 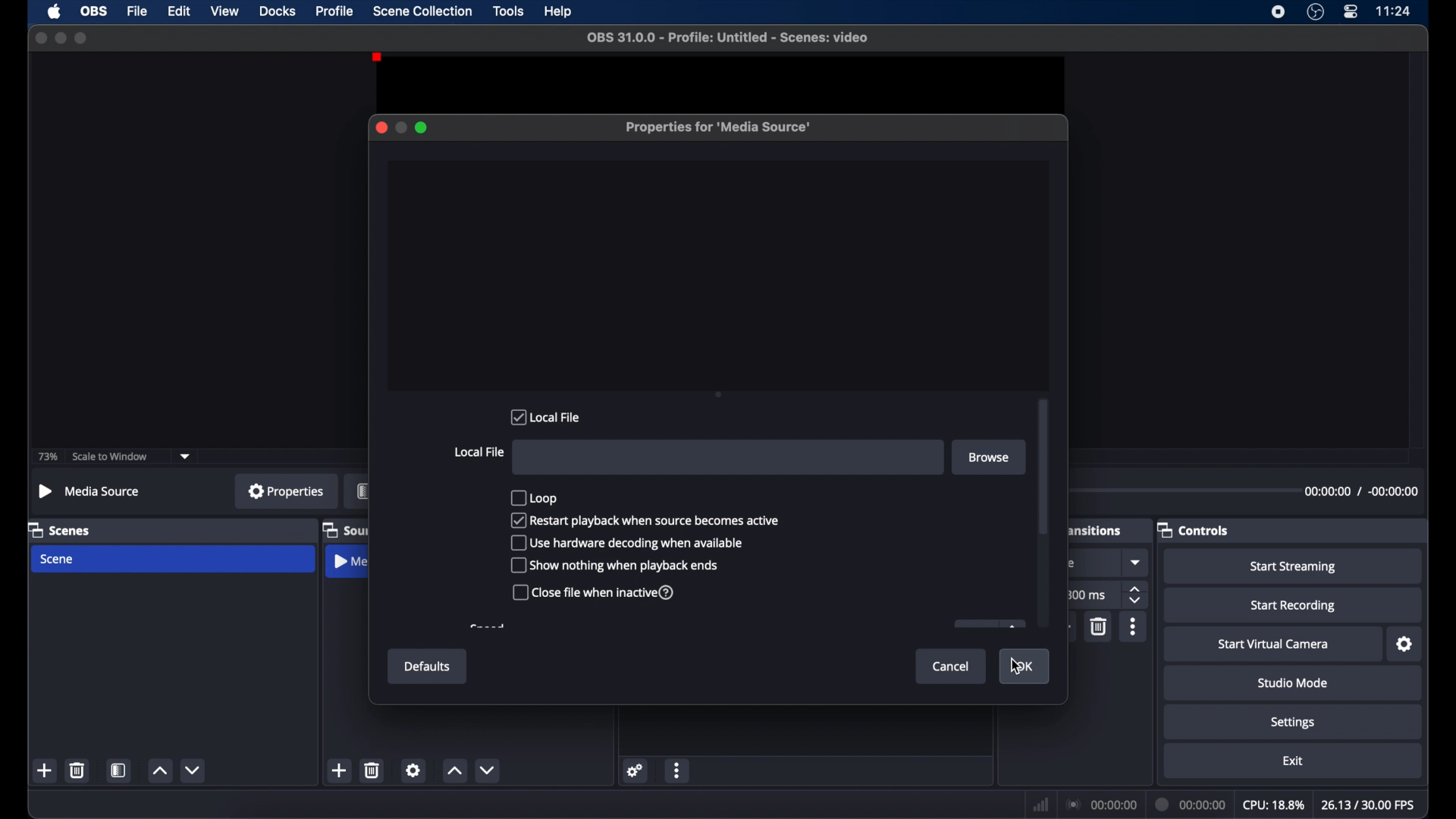 I want to click on studio mode, so click(x=1293, y=683).